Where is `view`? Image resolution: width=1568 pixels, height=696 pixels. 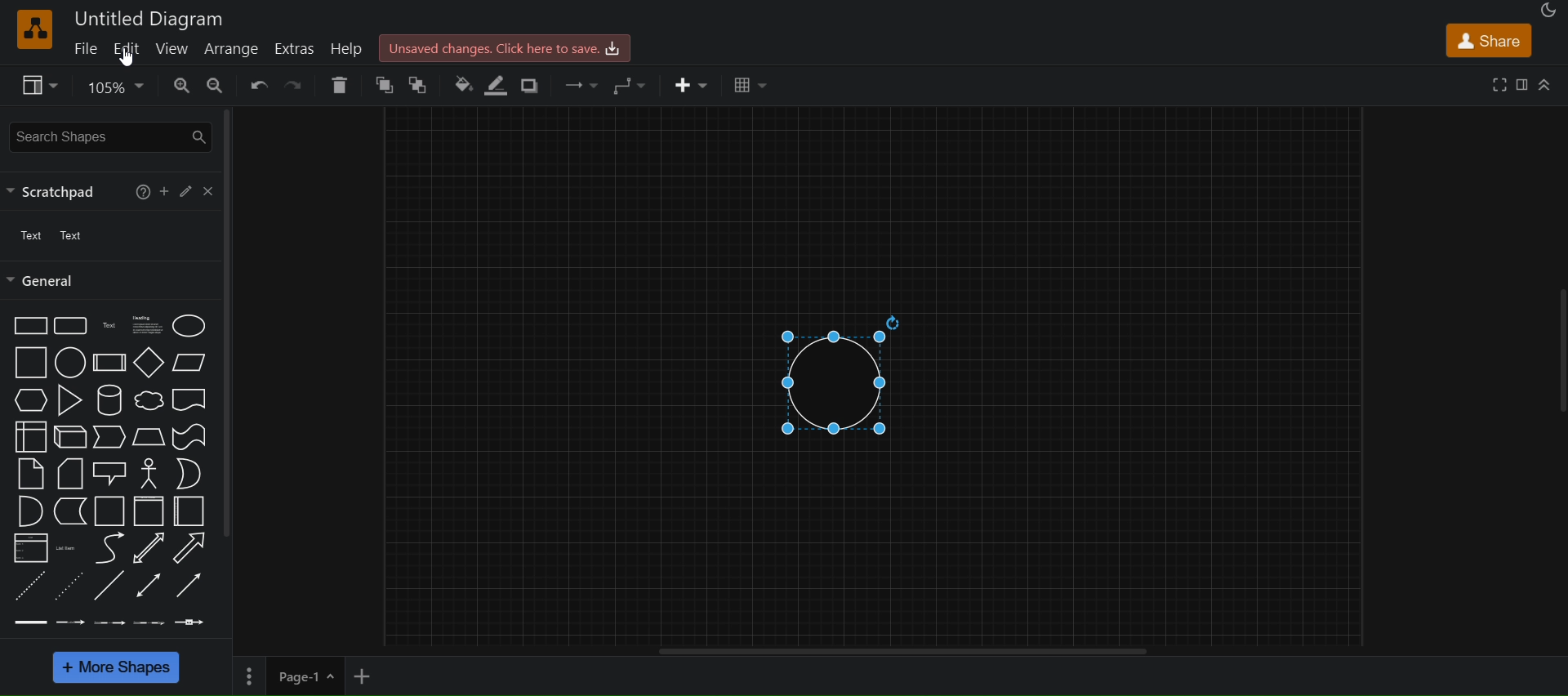 view is located at coordinates (173, 47).